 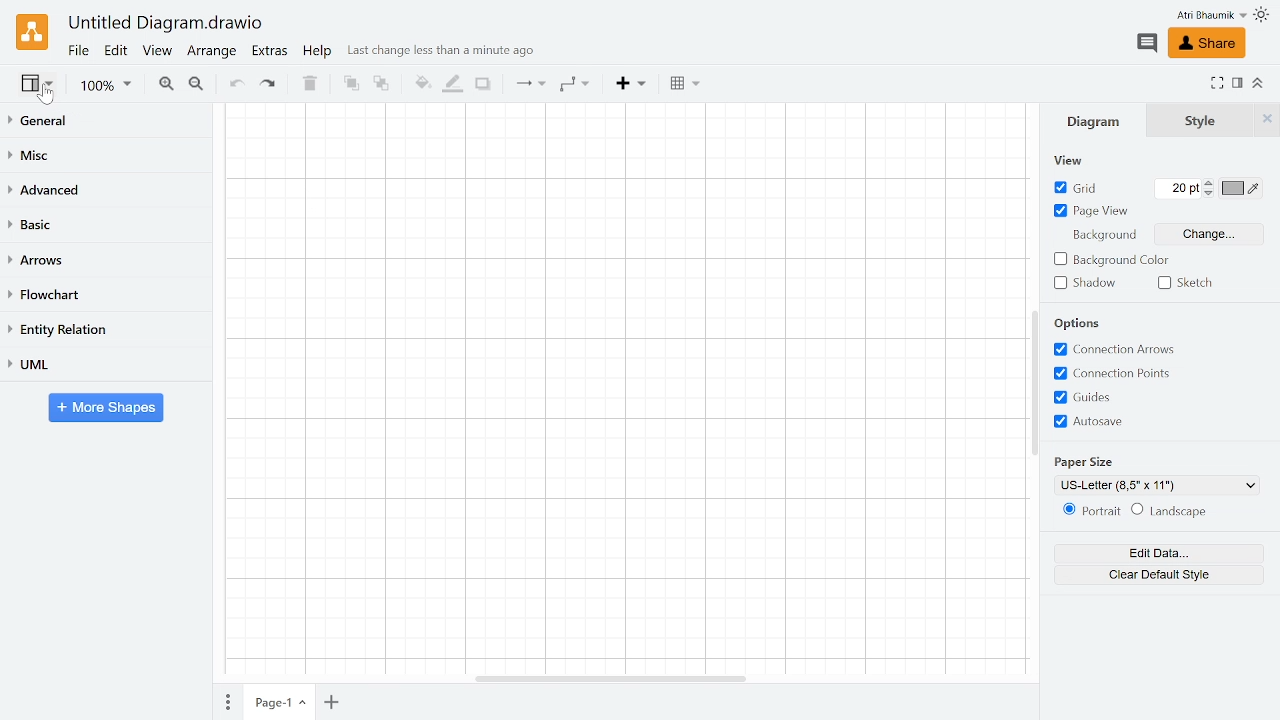 I want to click on Pages, so click(x=227, y=703).